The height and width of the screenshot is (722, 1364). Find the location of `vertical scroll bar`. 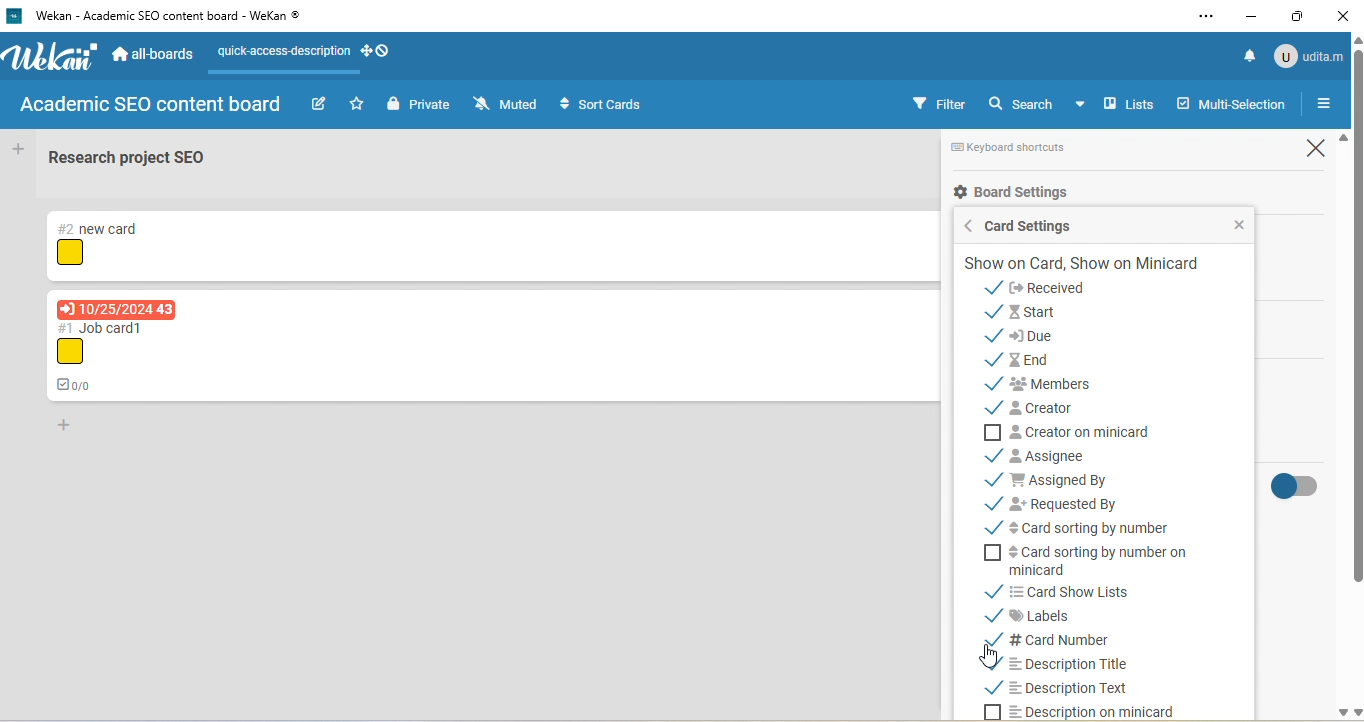

vertical scroll bar is located at coordinates (1355, 322).